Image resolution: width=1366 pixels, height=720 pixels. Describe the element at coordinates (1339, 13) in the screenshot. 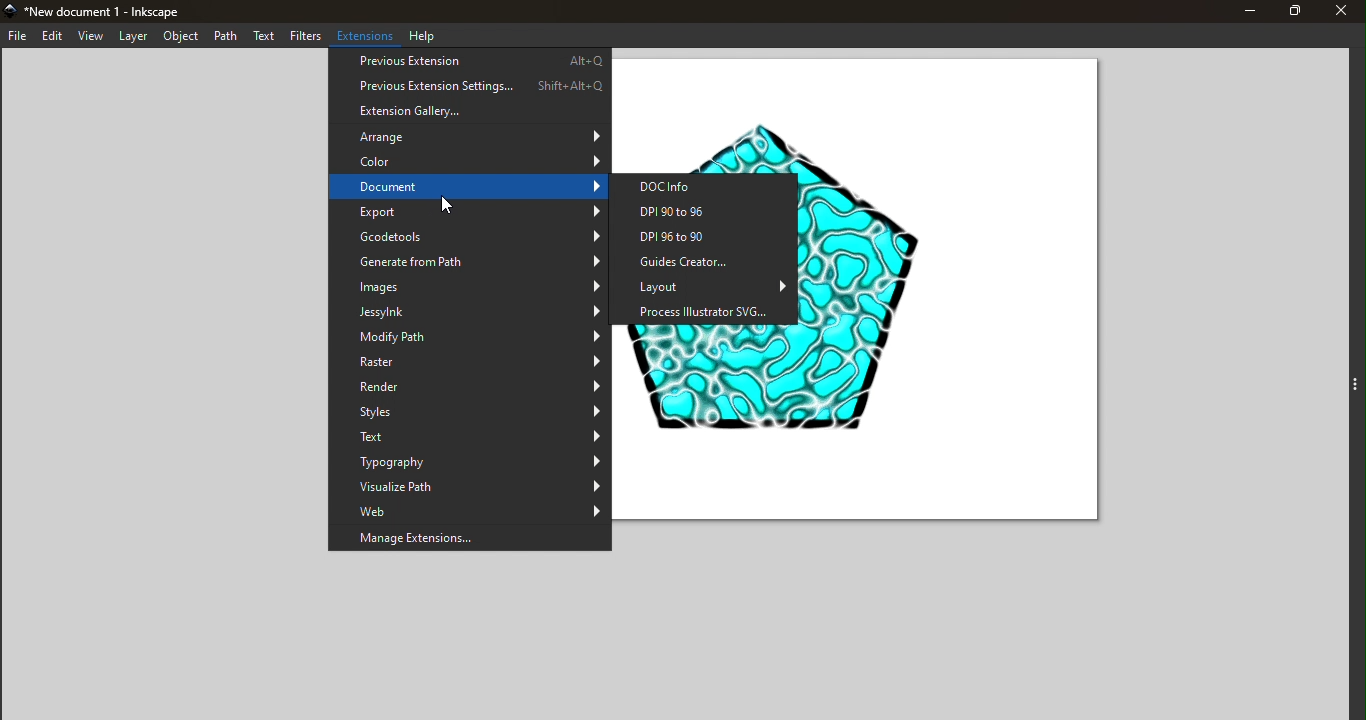

I see `Close` at that location.